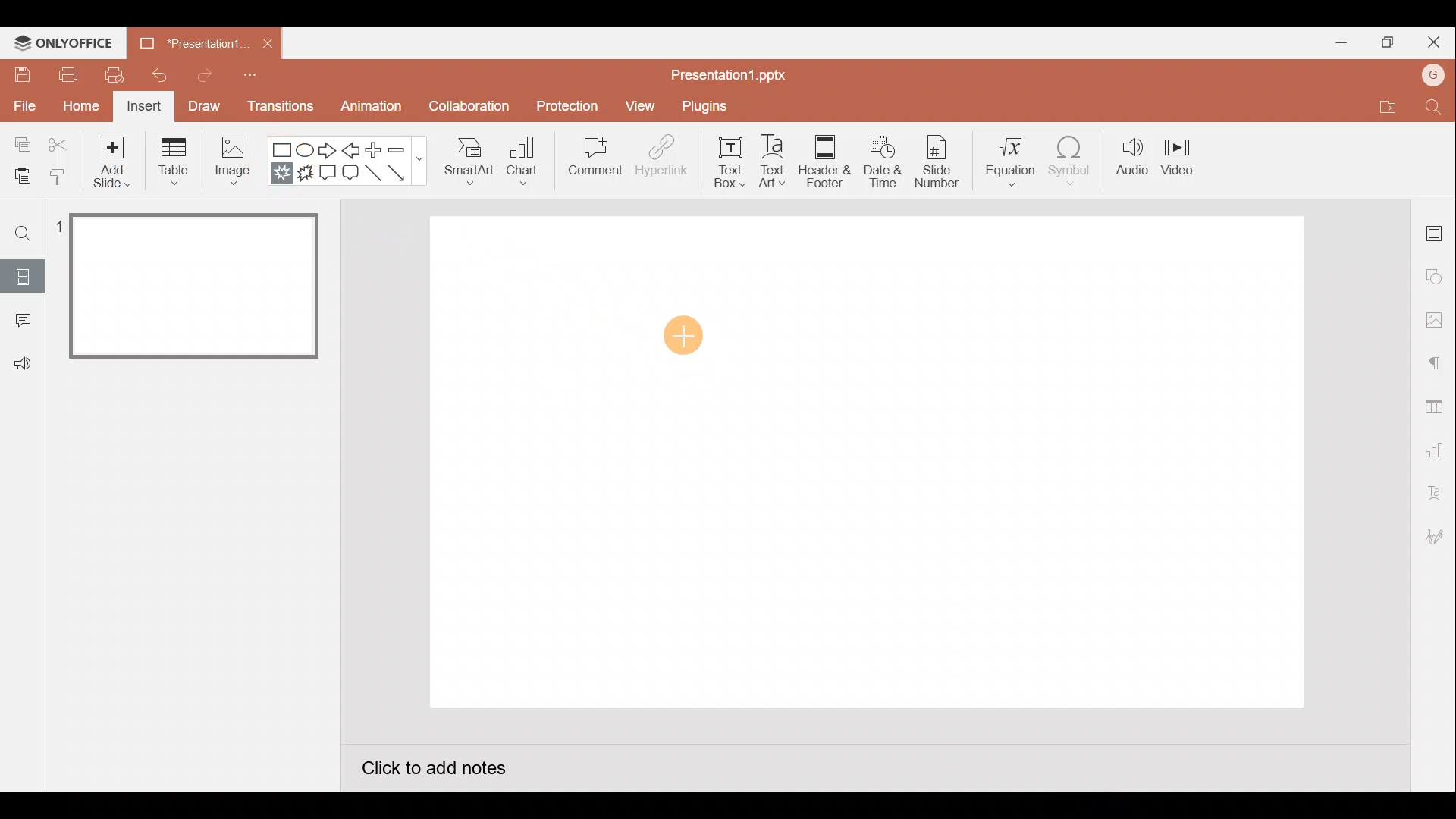 This screenshot has width=1456, height=819. What do you see at coordinates (1434, 73) in the screenshot?
I see `G` at bounding box center [1434, 73].